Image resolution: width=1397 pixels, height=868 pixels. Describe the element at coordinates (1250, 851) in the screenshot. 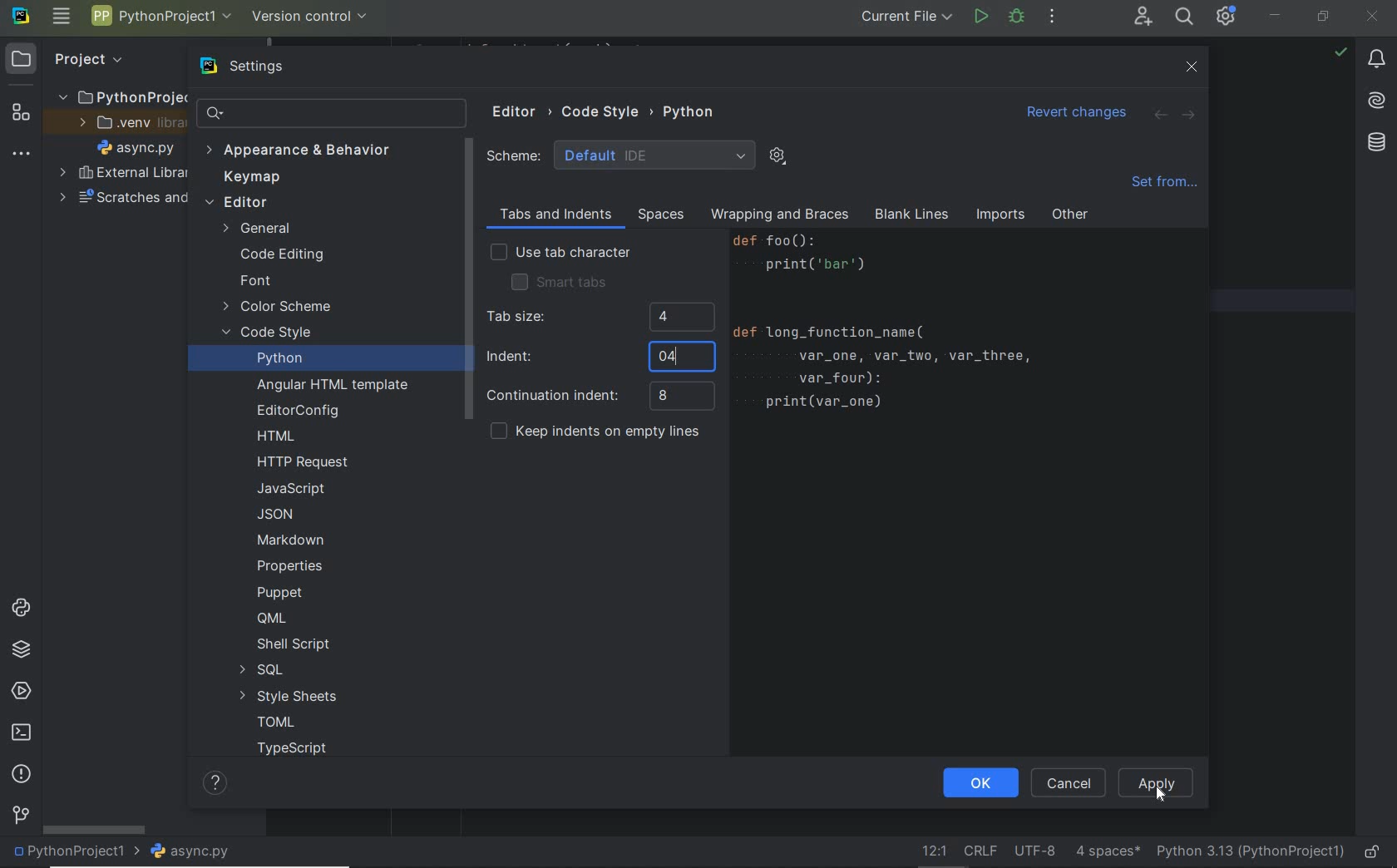

I see `current interpreter` at that location.